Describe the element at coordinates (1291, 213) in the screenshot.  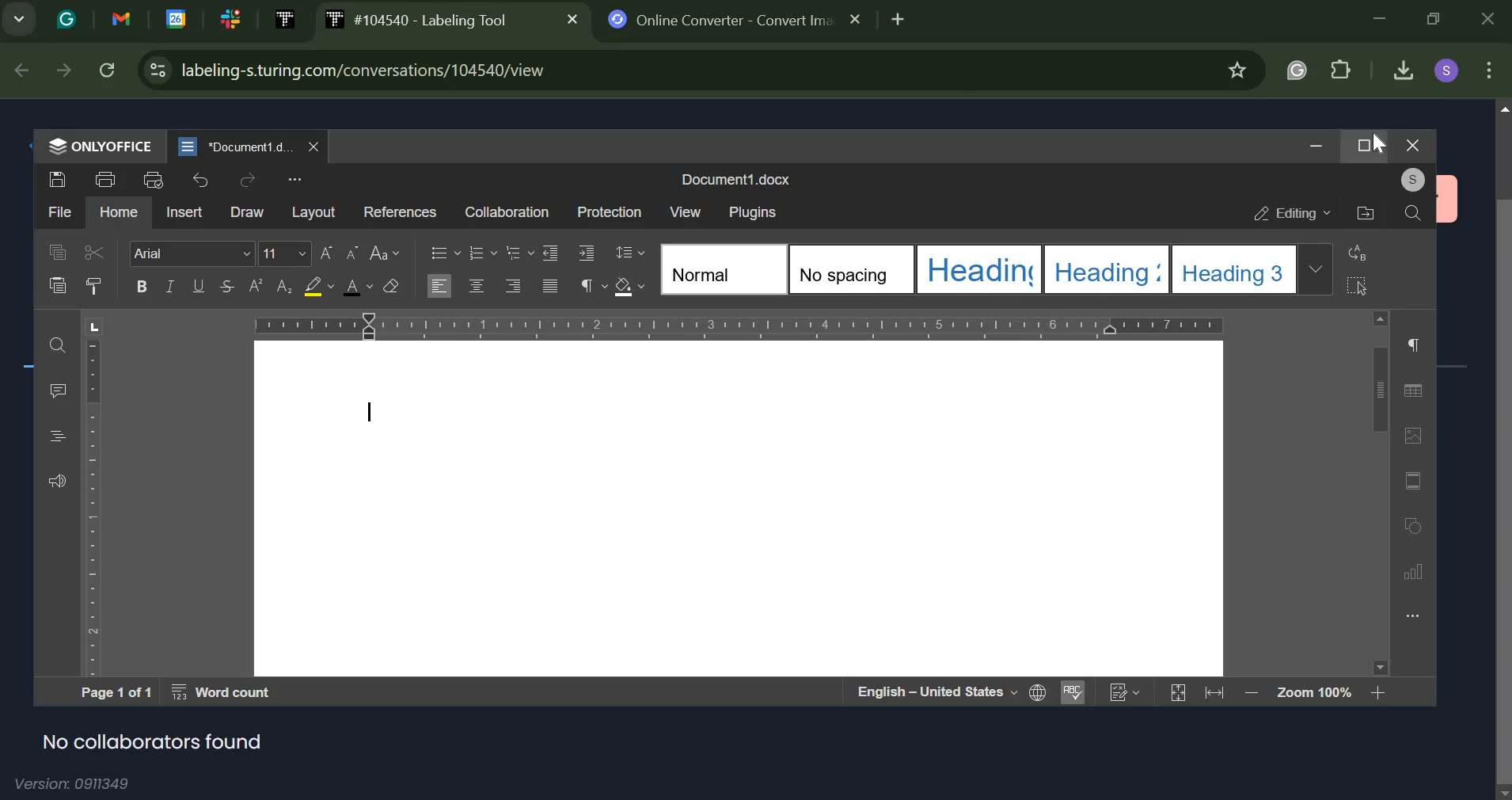
I see `editing` at that location.